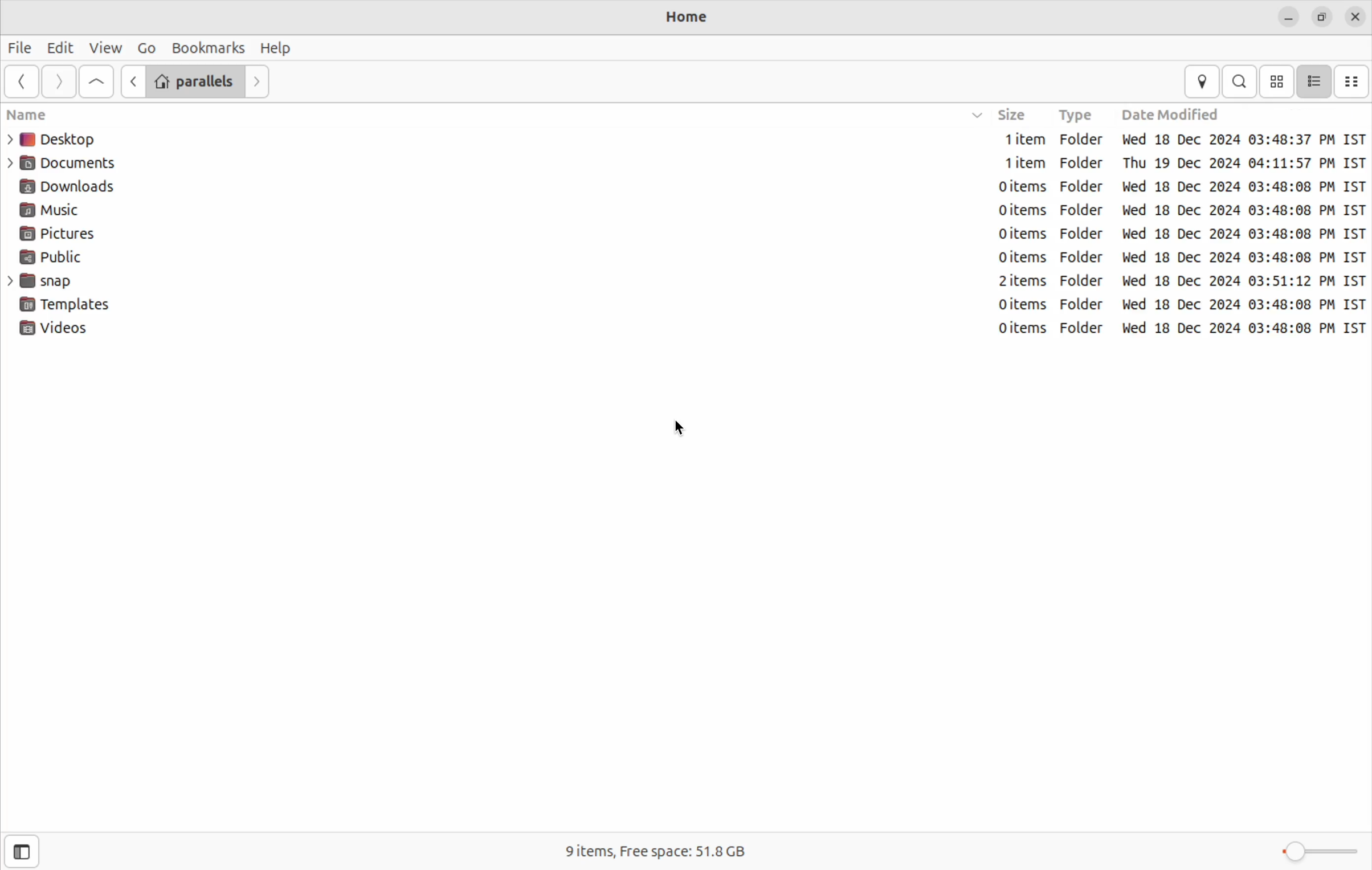 This screenshot has width=1372, height=870. I want to click on Thu 19 Dec 2024 04:11:57 PM IST, so click(1243, 162).